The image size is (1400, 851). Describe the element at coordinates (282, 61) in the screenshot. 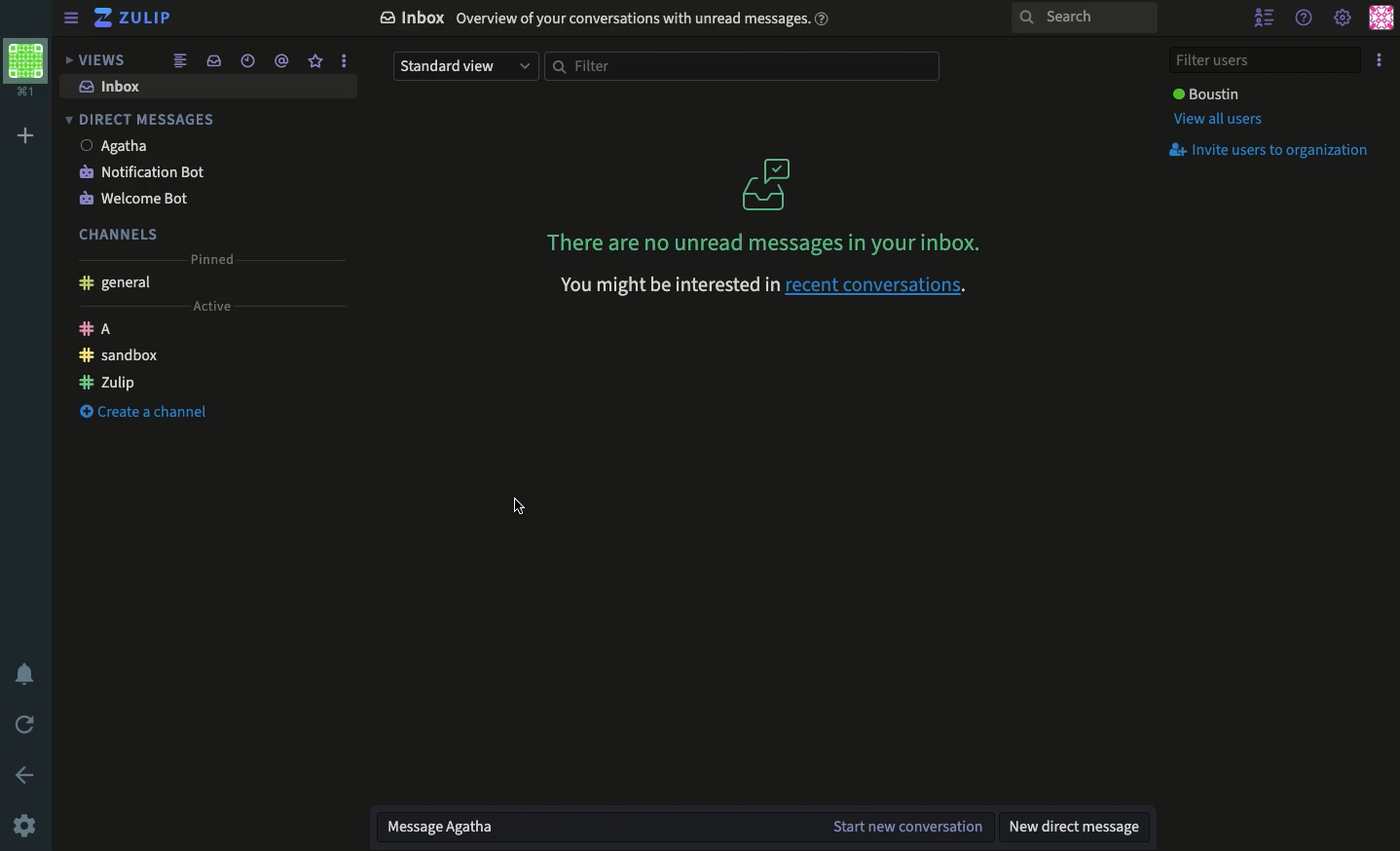

I see `Tag` at that location.